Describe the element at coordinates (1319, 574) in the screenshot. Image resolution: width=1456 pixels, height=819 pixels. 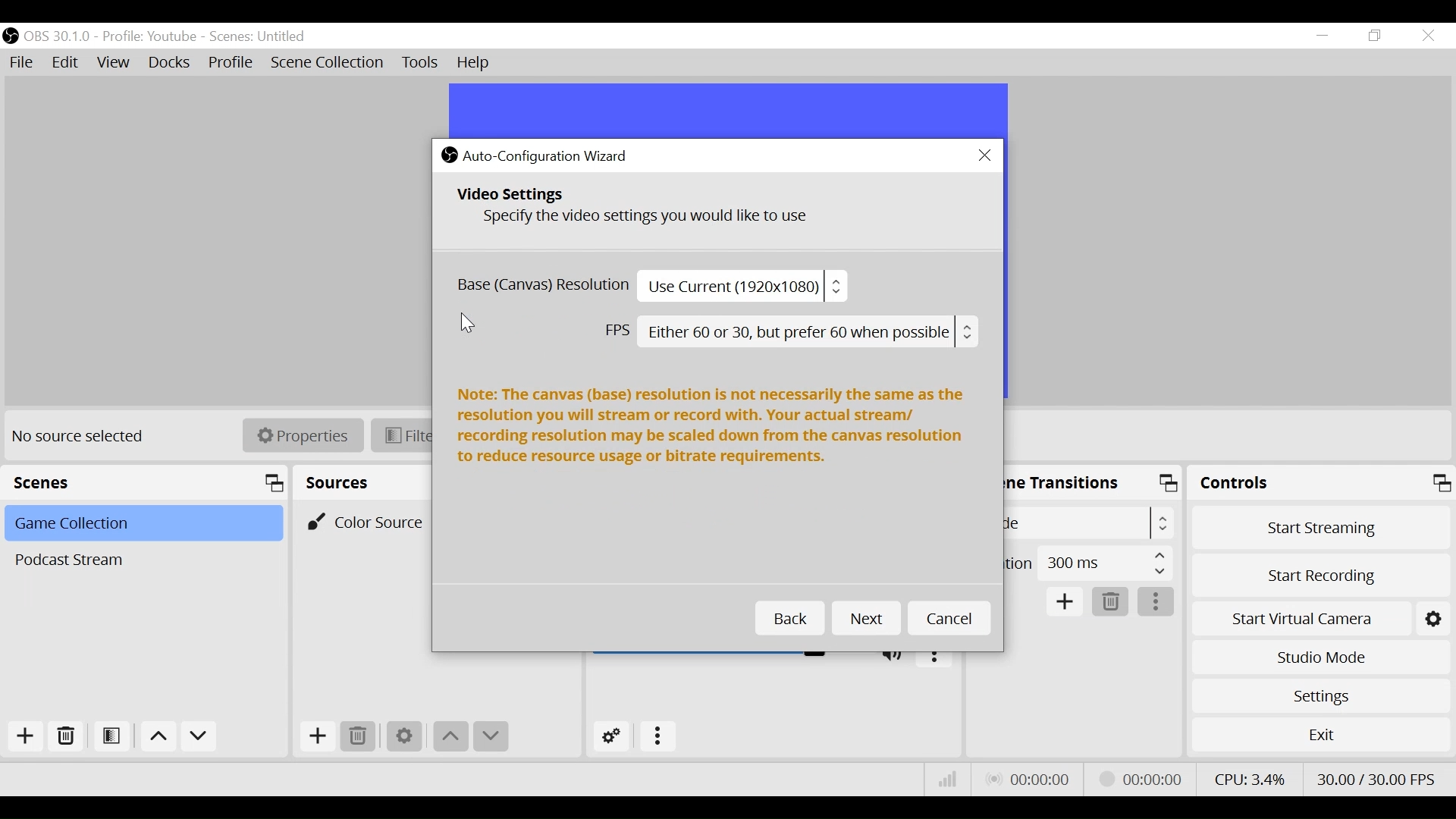
I see `Start Recording` at that location.